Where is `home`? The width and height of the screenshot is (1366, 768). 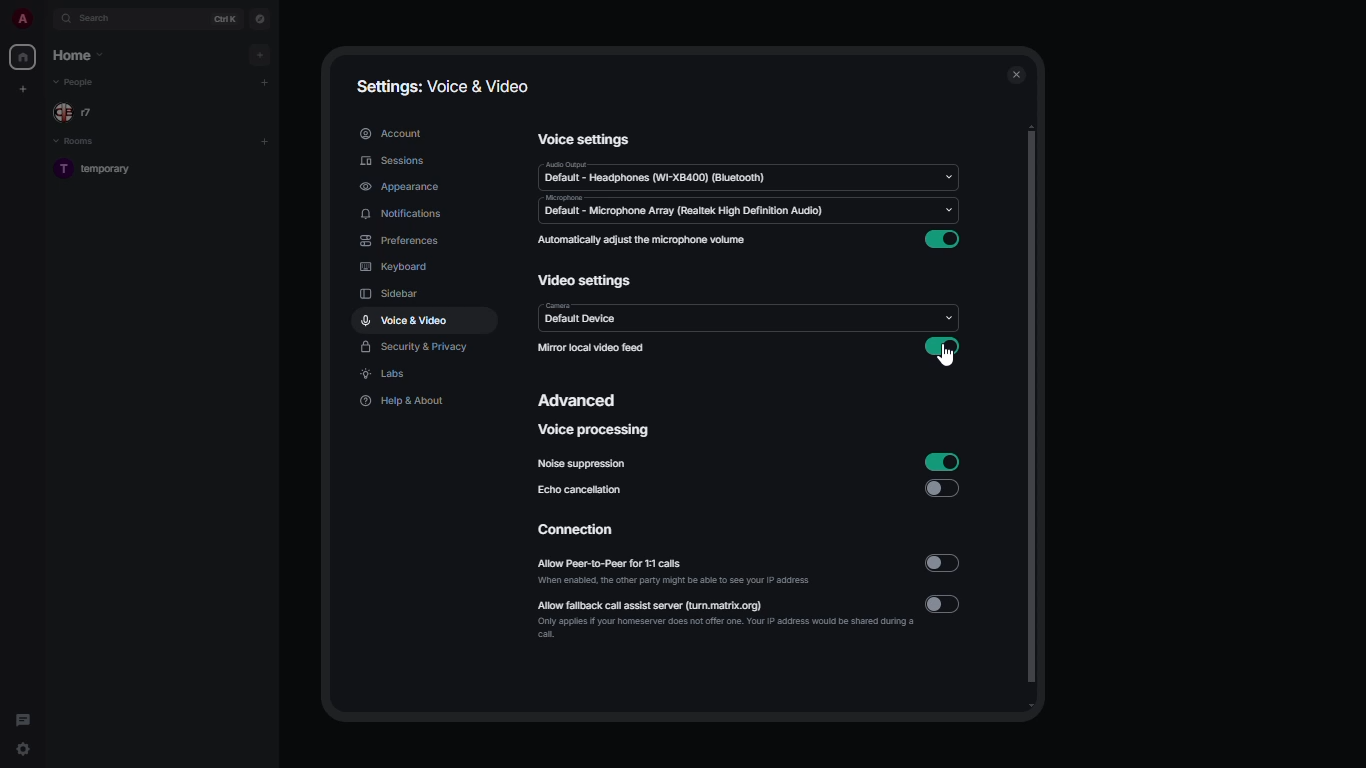 home is located at coordinates (80, 53).